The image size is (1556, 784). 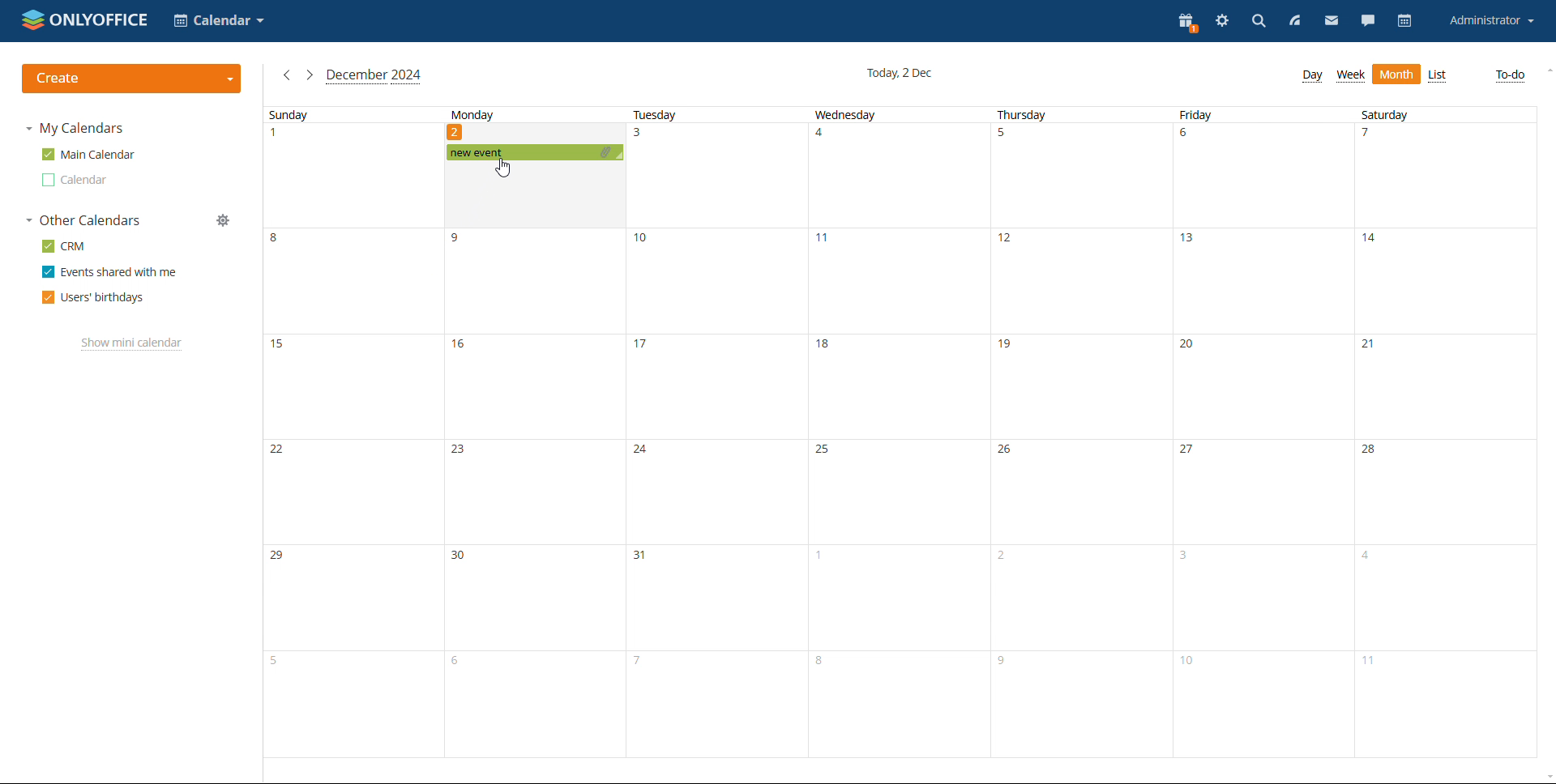 What do you see at coordinates (1491, 21) in the screenshot?
I see `Administrator` at bounding box center [1491, 21].